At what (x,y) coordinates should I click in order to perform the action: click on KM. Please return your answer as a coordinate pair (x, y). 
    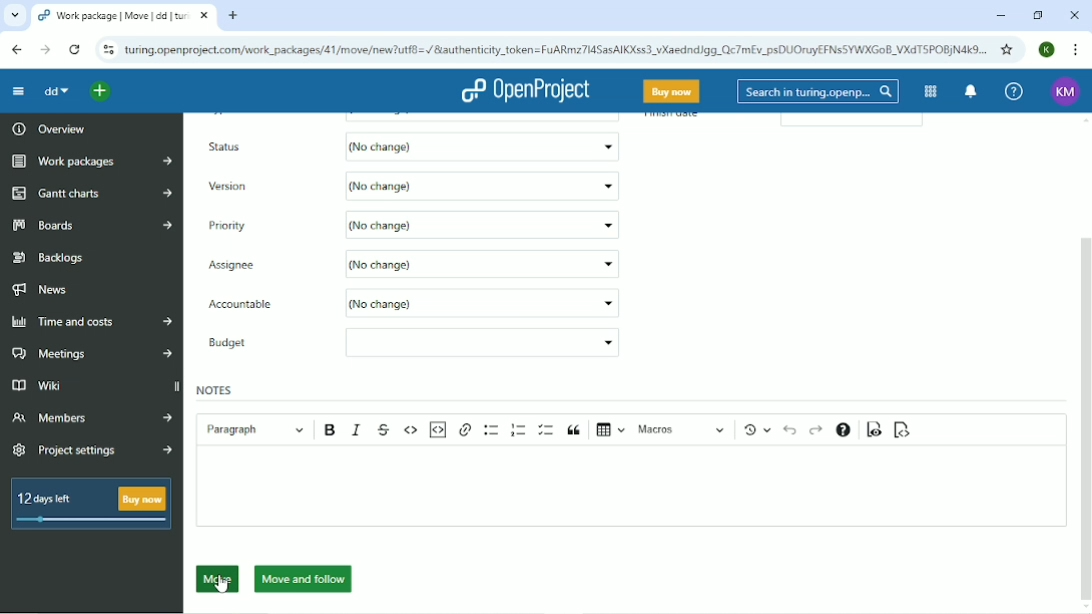
    Looking at the image, I should click on (1067, 91).